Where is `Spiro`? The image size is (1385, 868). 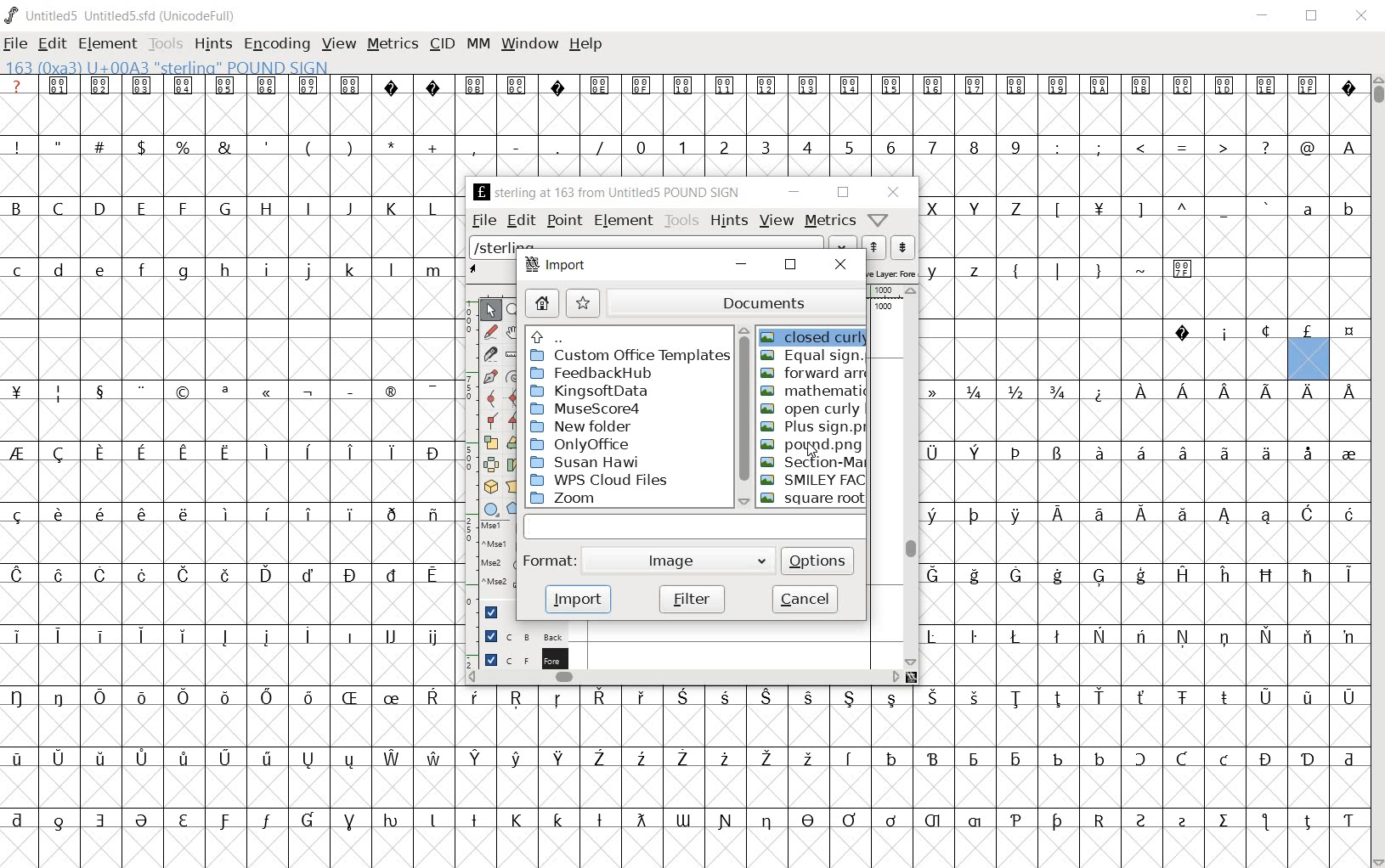
Spiro is located at coordinates (513, 375).